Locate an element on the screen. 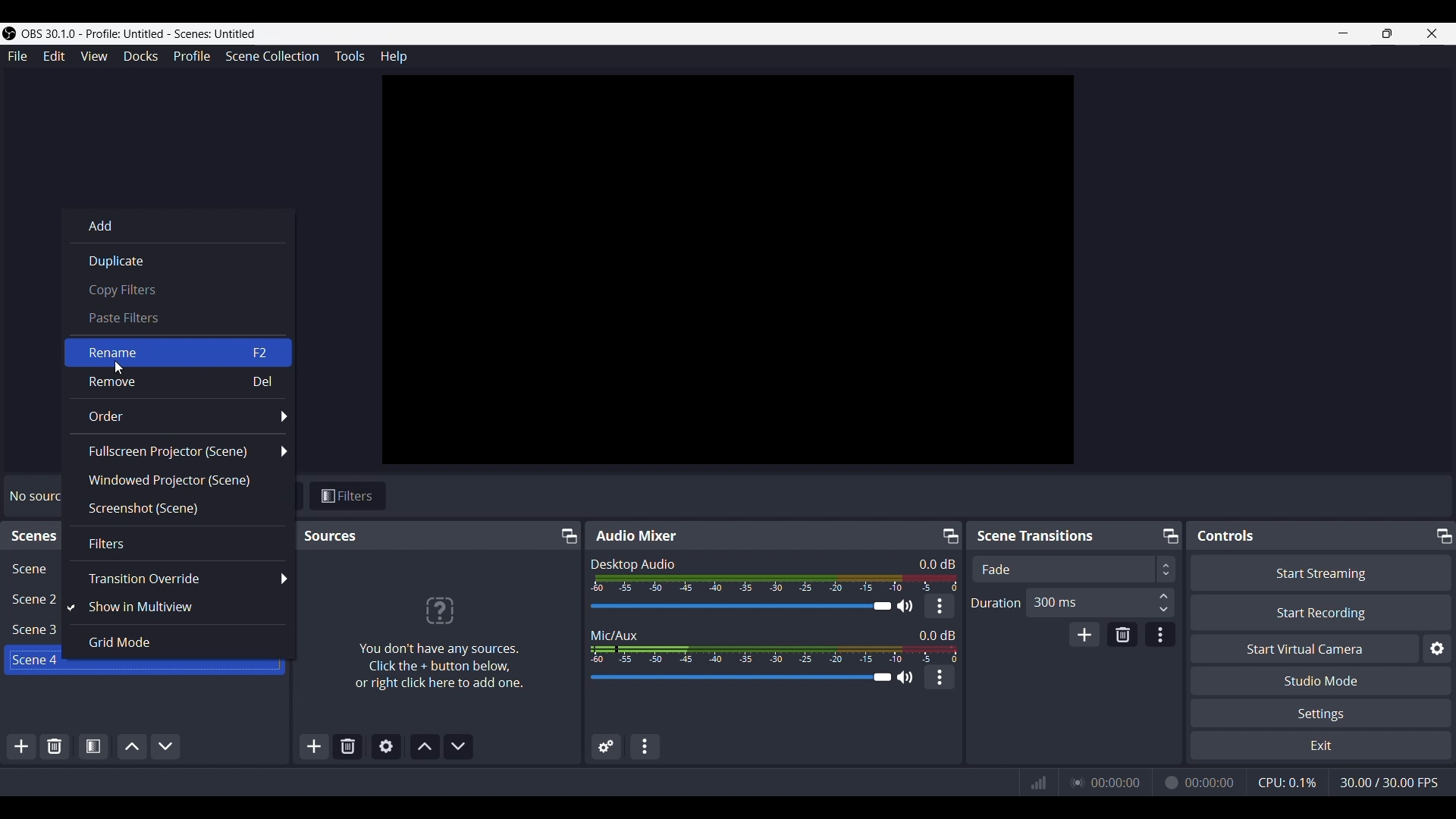  ? is located at coordinates (438, 608).